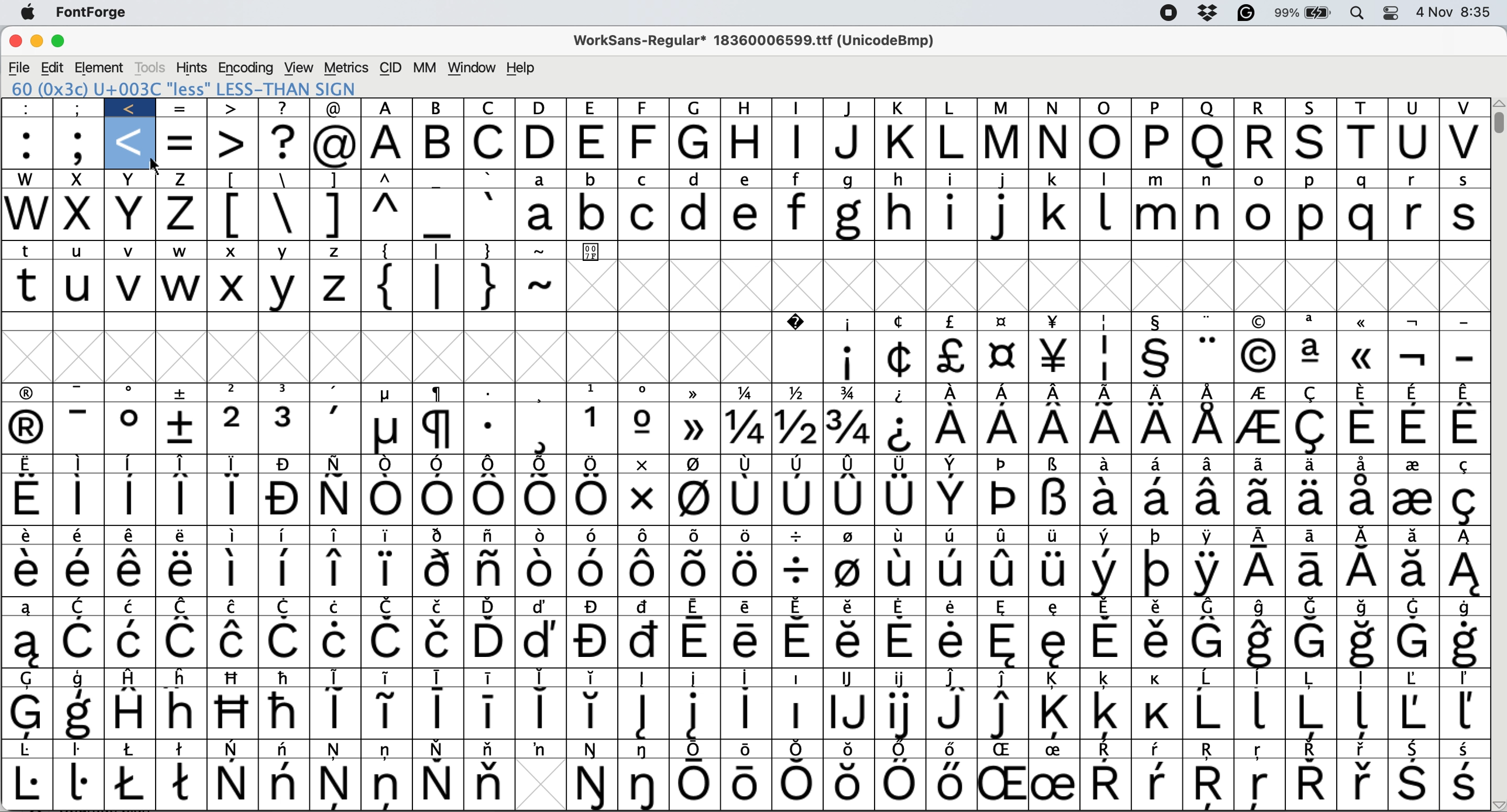 The height and width of the screenshot is (812, 1507). What do you see at coordinates (1156, 785) in the screenshot?
I see `Symbol` at bounding box center [1156, 785].